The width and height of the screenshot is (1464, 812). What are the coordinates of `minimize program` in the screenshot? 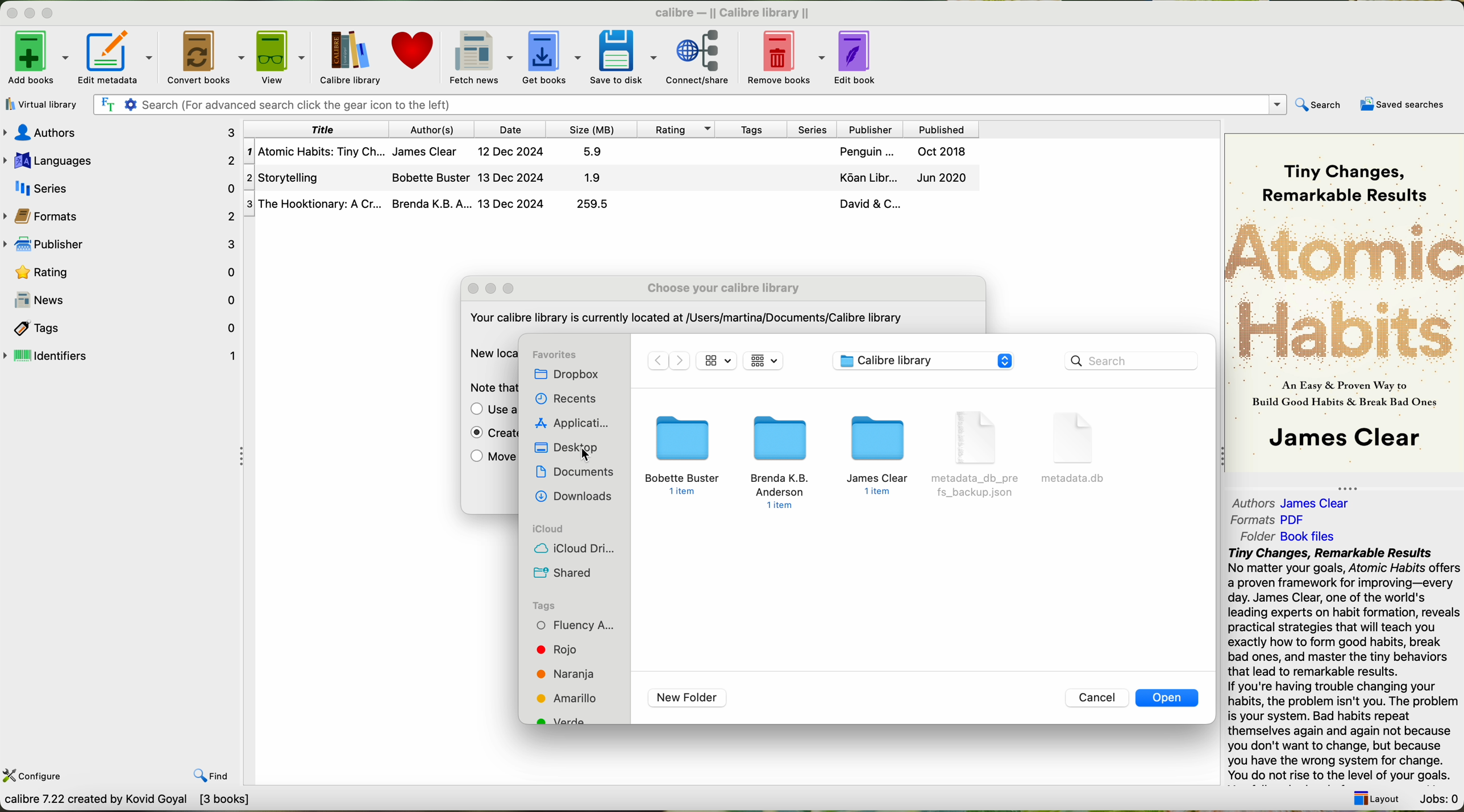 It's located at (32, 14).